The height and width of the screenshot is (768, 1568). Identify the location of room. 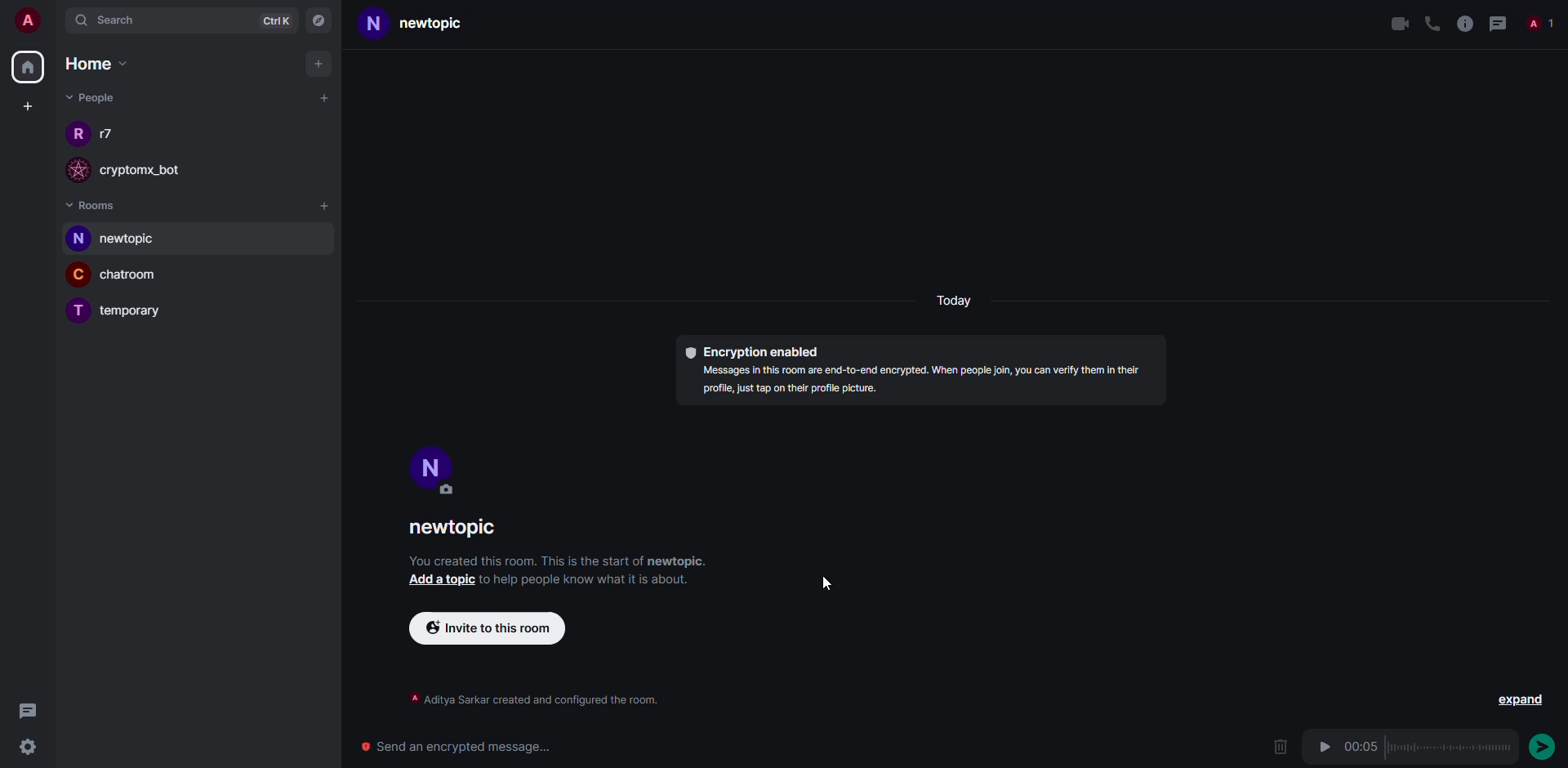
(136, 239).